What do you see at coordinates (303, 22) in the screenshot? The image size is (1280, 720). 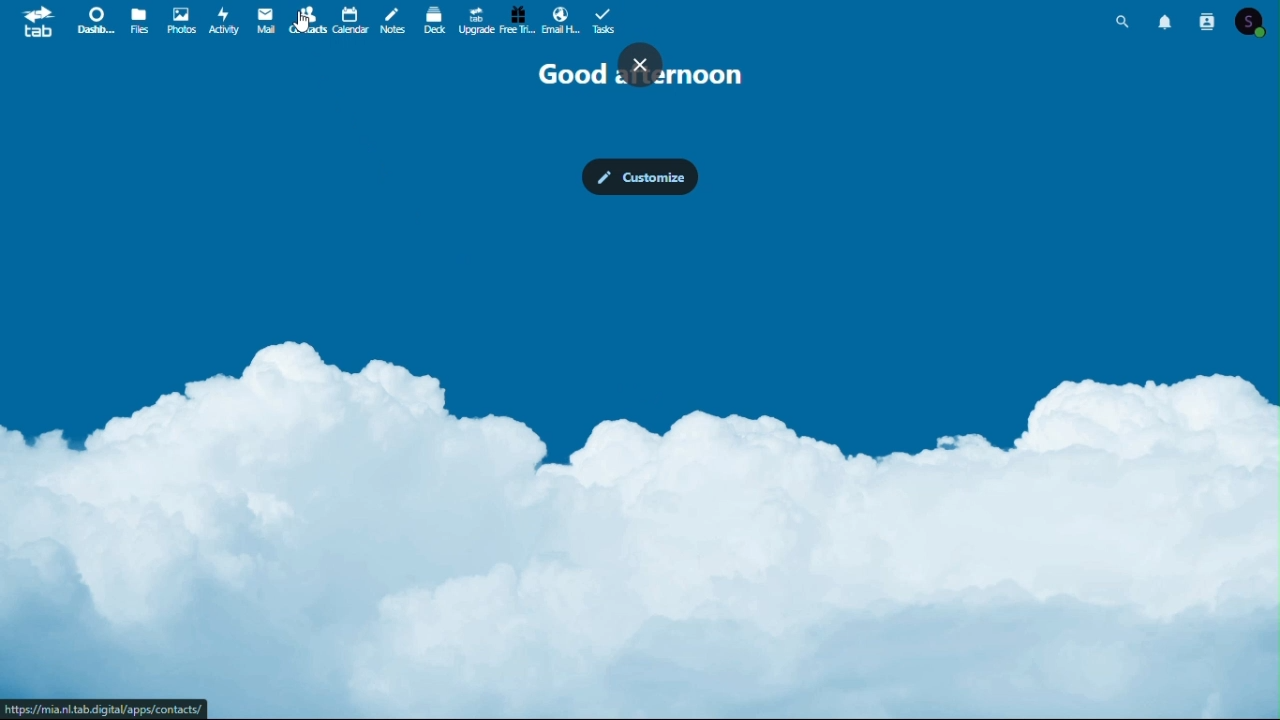 I see `Contacts` at bounding box center [303, 22].